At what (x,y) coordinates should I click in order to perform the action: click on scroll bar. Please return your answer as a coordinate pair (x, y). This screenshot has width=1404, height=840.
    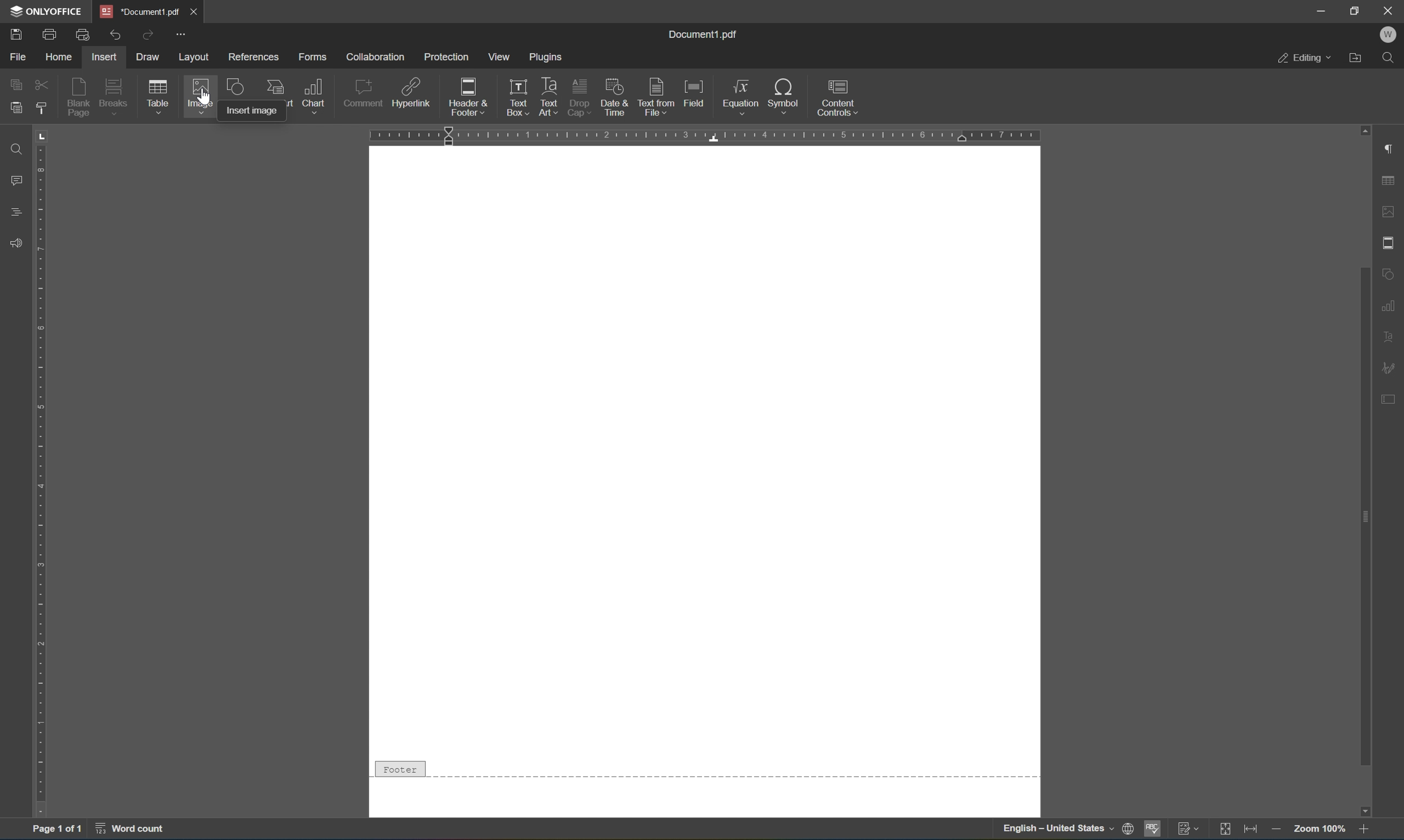
    Looking at the image, I should click on (1361, 380).